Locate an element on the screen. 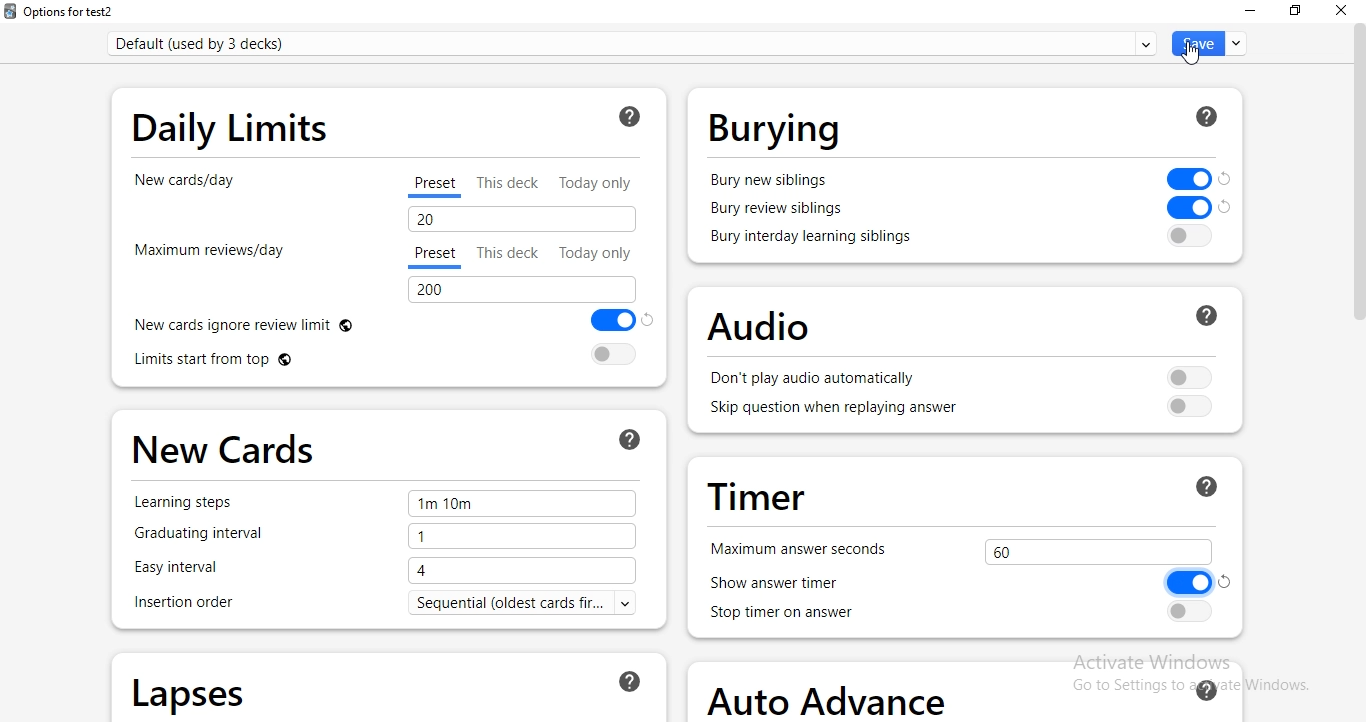 This screenshot has width=1366, height=722. show answer time is located at coordinates (969, 583).